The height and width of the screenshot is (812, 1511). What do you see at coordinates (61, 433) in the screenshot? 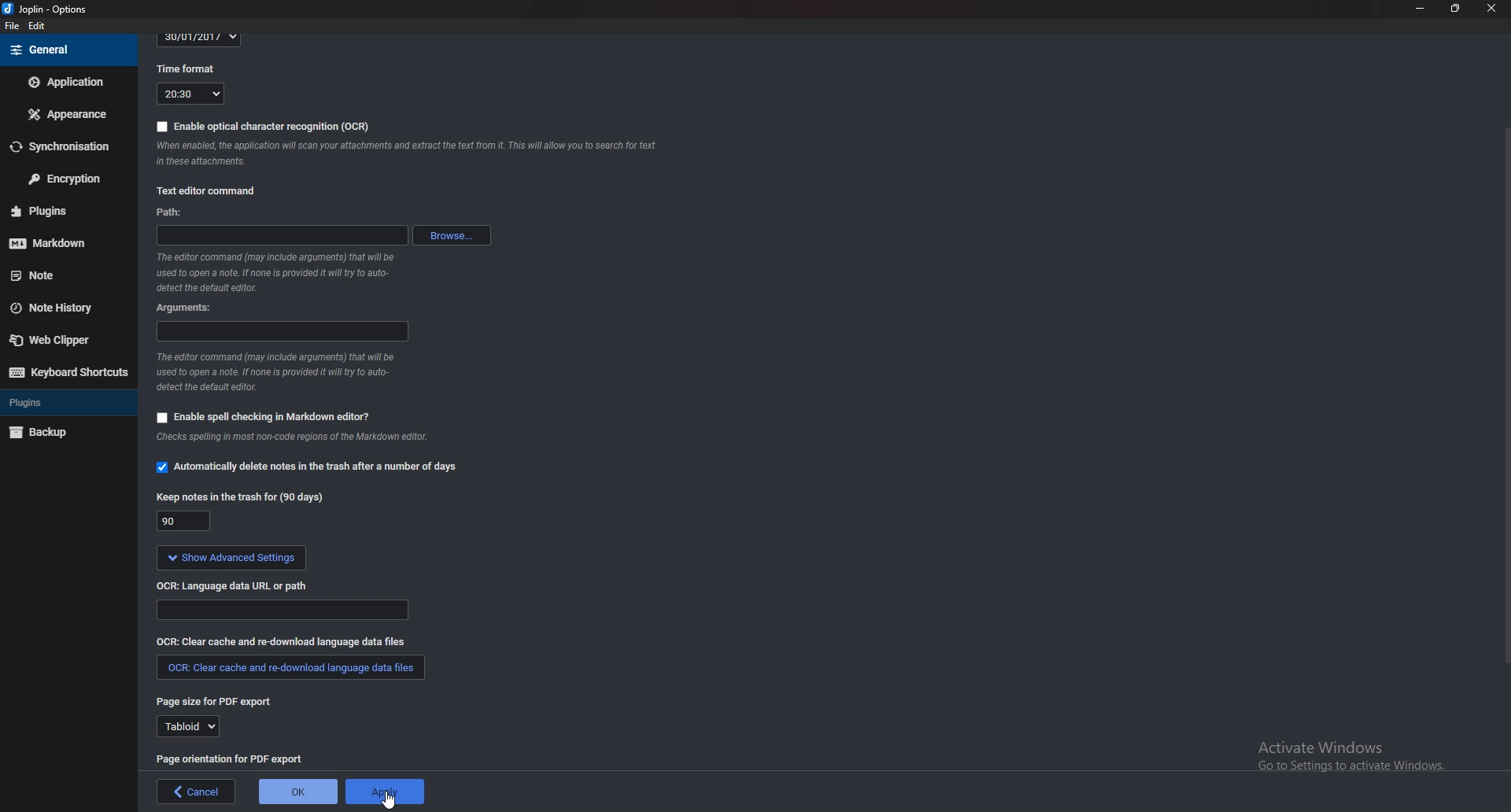
I see `Backup` at bounding box center [61, 433].